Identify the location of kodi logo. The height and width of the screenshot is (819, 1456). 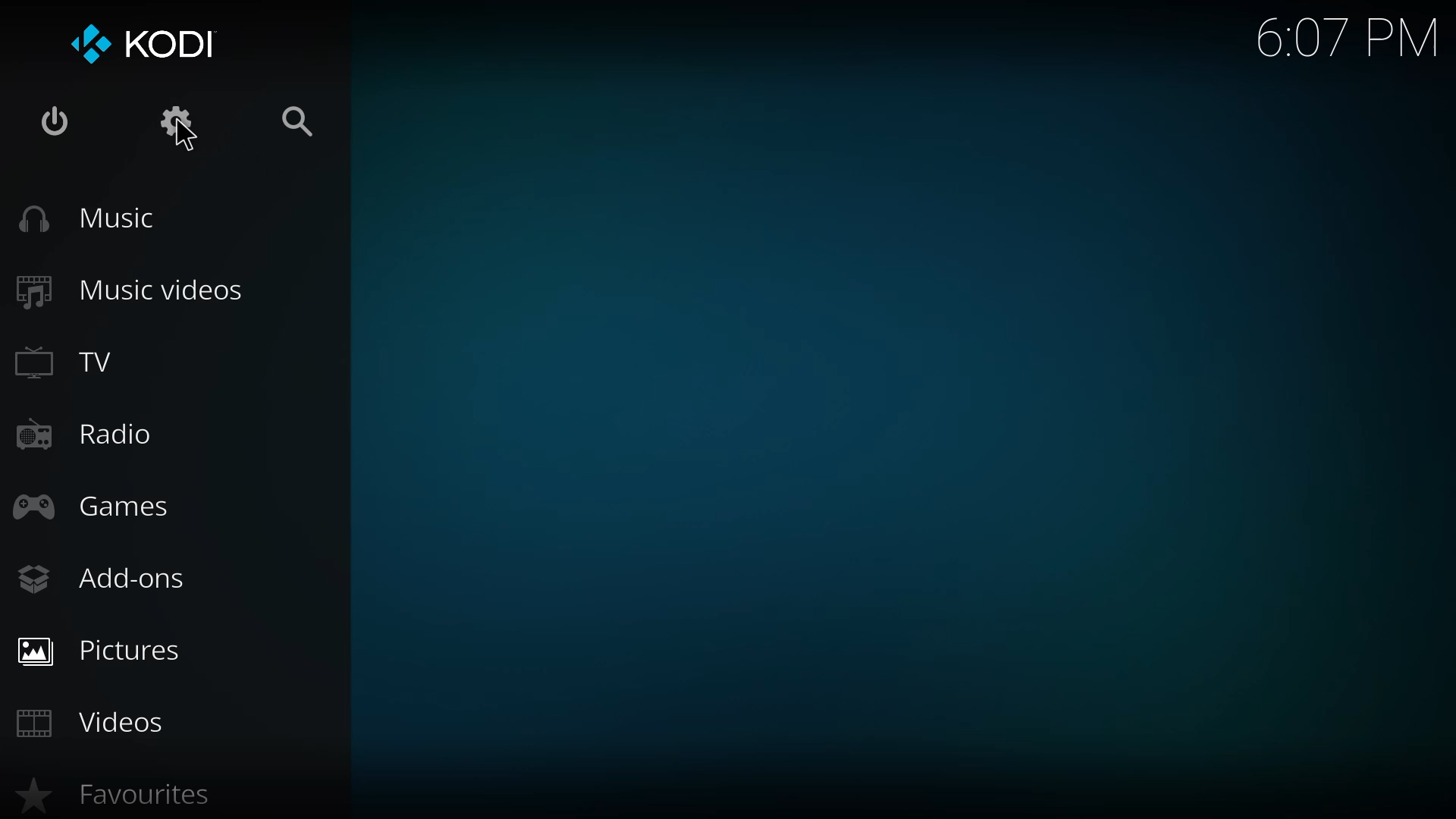
(93, 45).